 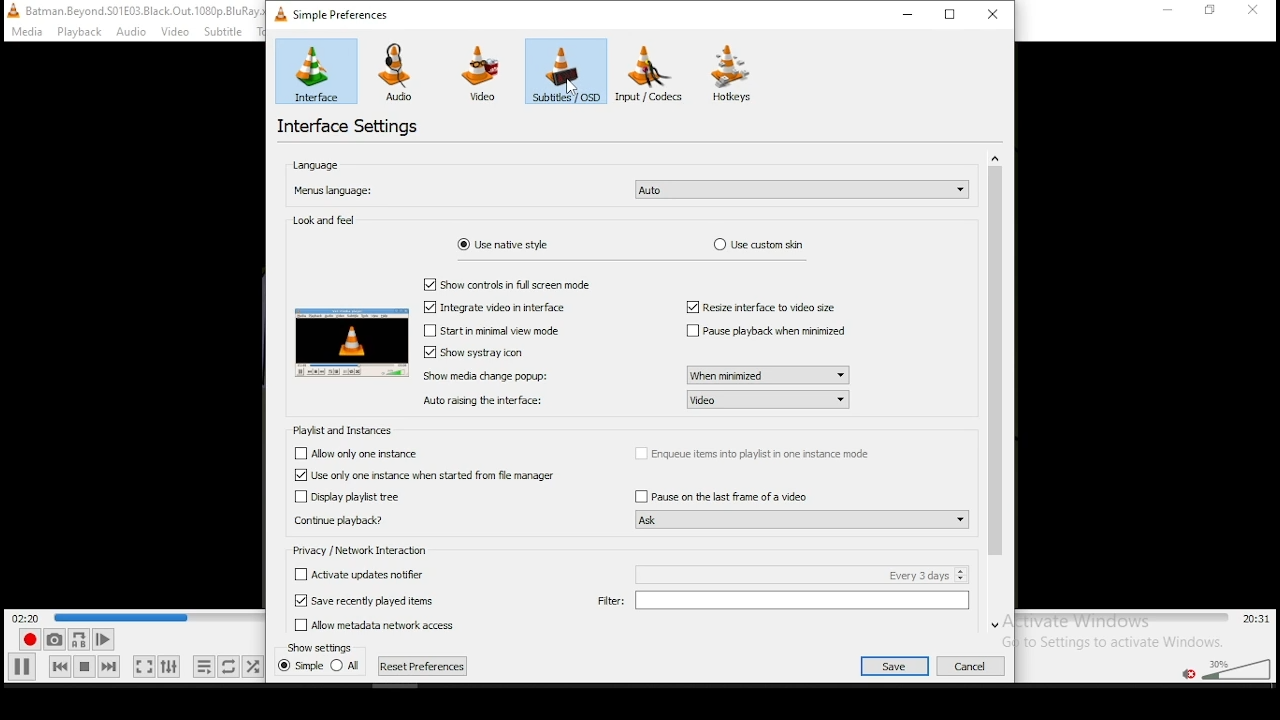 What do you see at coordinates (84, 666) in the screenshot?
I see `stop` at bounding box center [84, 666].